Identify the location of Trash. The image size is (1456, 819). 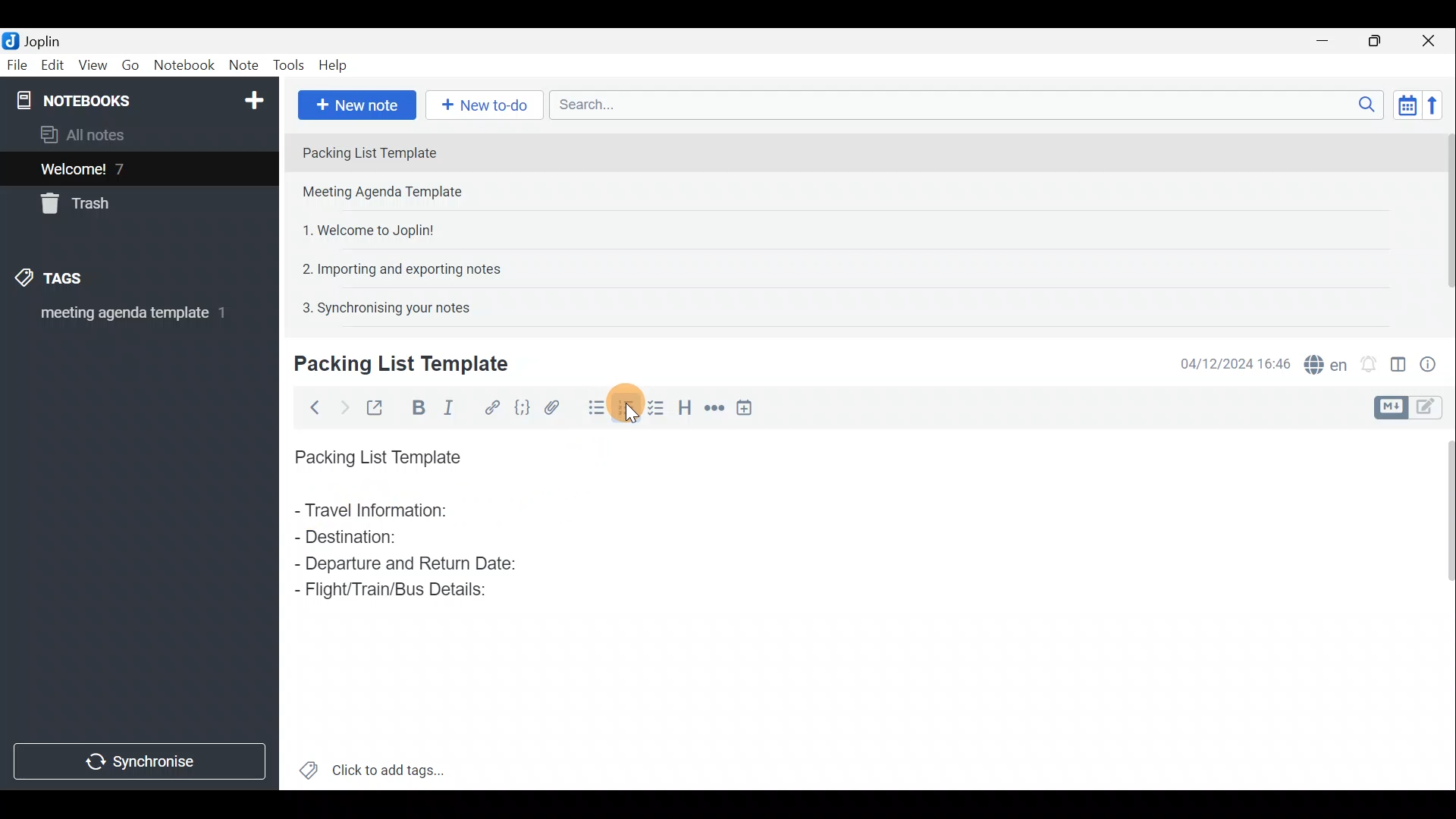
(81, 206).